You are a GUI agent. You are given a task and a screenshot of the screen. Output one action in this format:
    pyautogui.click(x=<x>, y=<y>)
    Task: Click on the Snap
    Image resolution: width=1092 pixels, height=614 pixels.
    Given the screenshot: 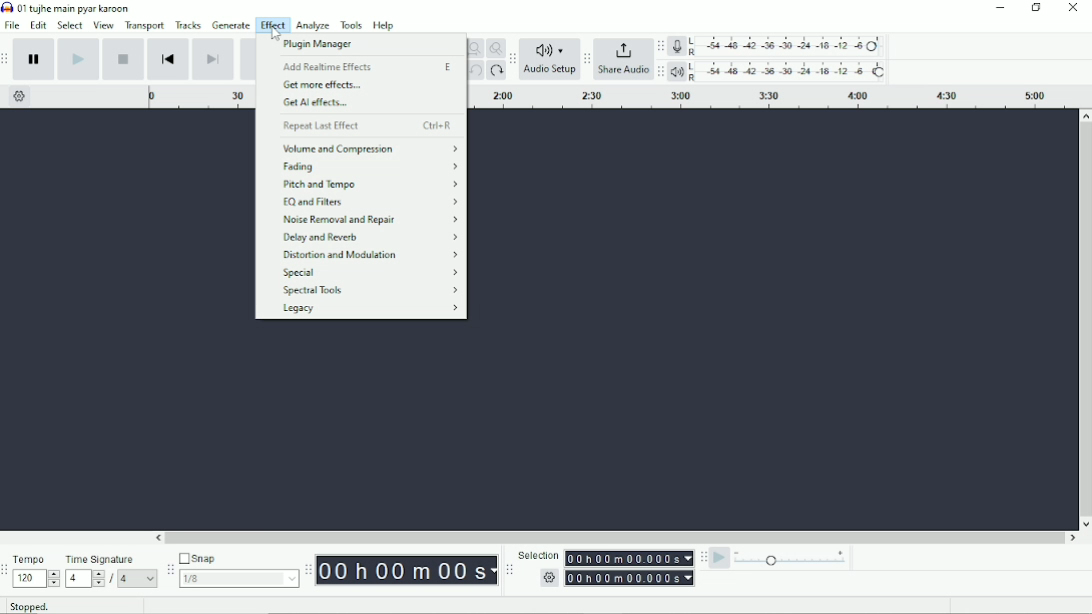 What is the action you would take?
    pyautogui.click(x=238, y=570)
    